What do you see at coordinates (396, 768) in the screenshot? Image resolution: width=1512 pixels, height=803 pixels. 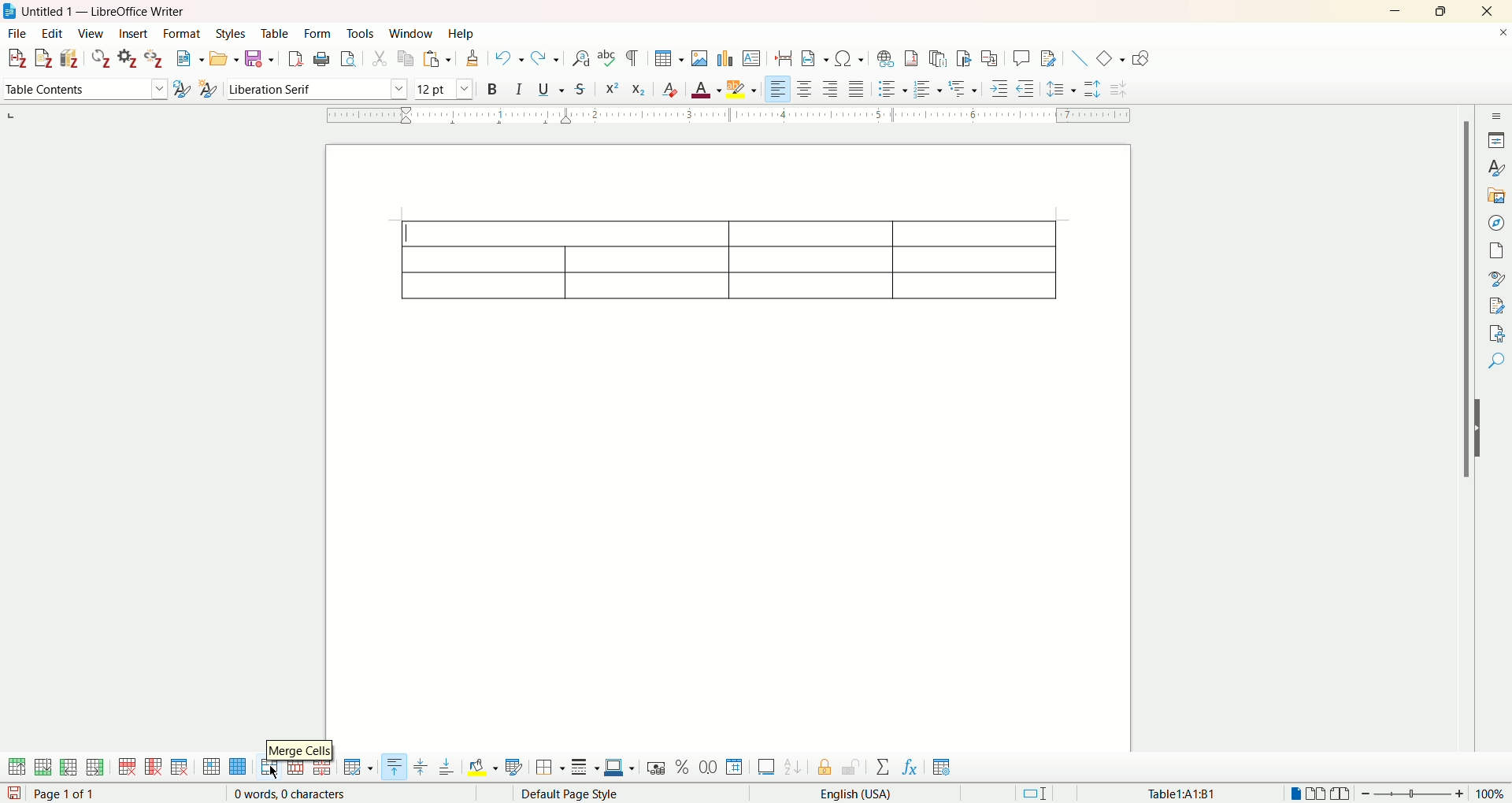 I see `align top` at bounding box center [396, 768].